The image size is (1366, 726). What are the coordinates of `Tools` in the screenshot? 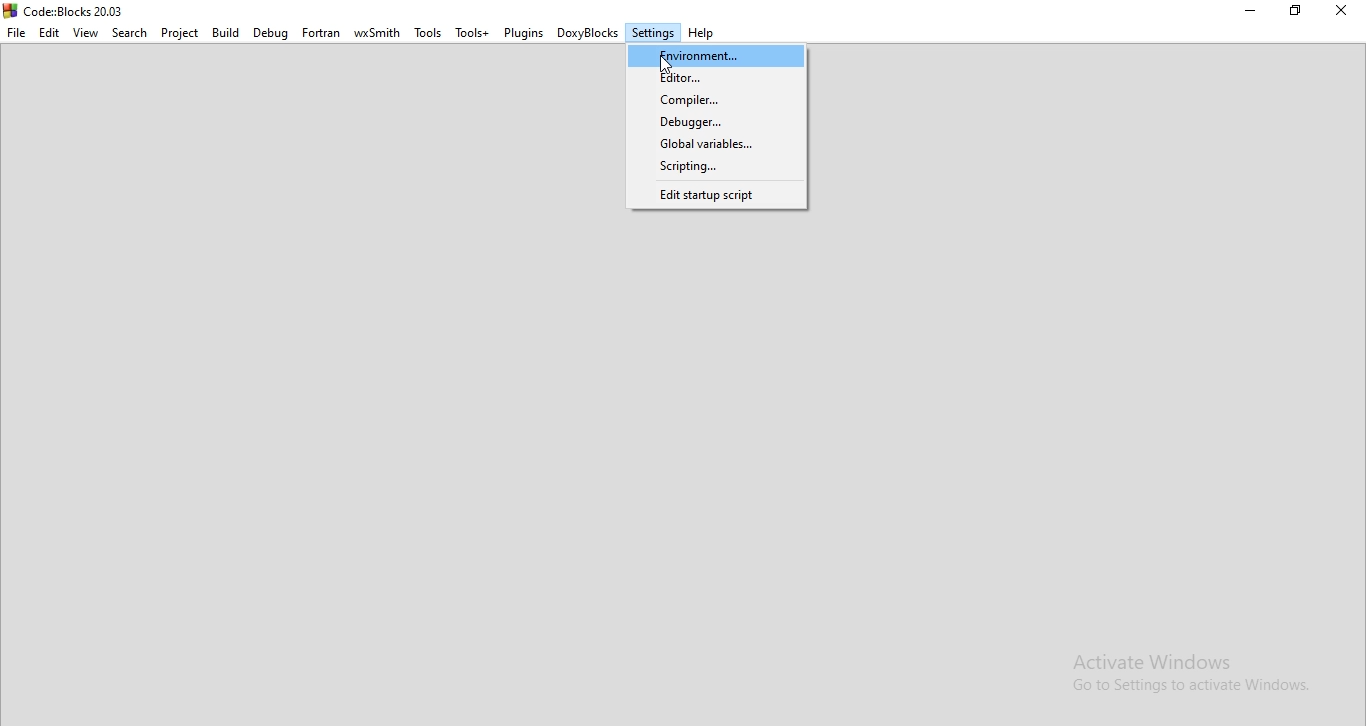 It's located at (430, 36).